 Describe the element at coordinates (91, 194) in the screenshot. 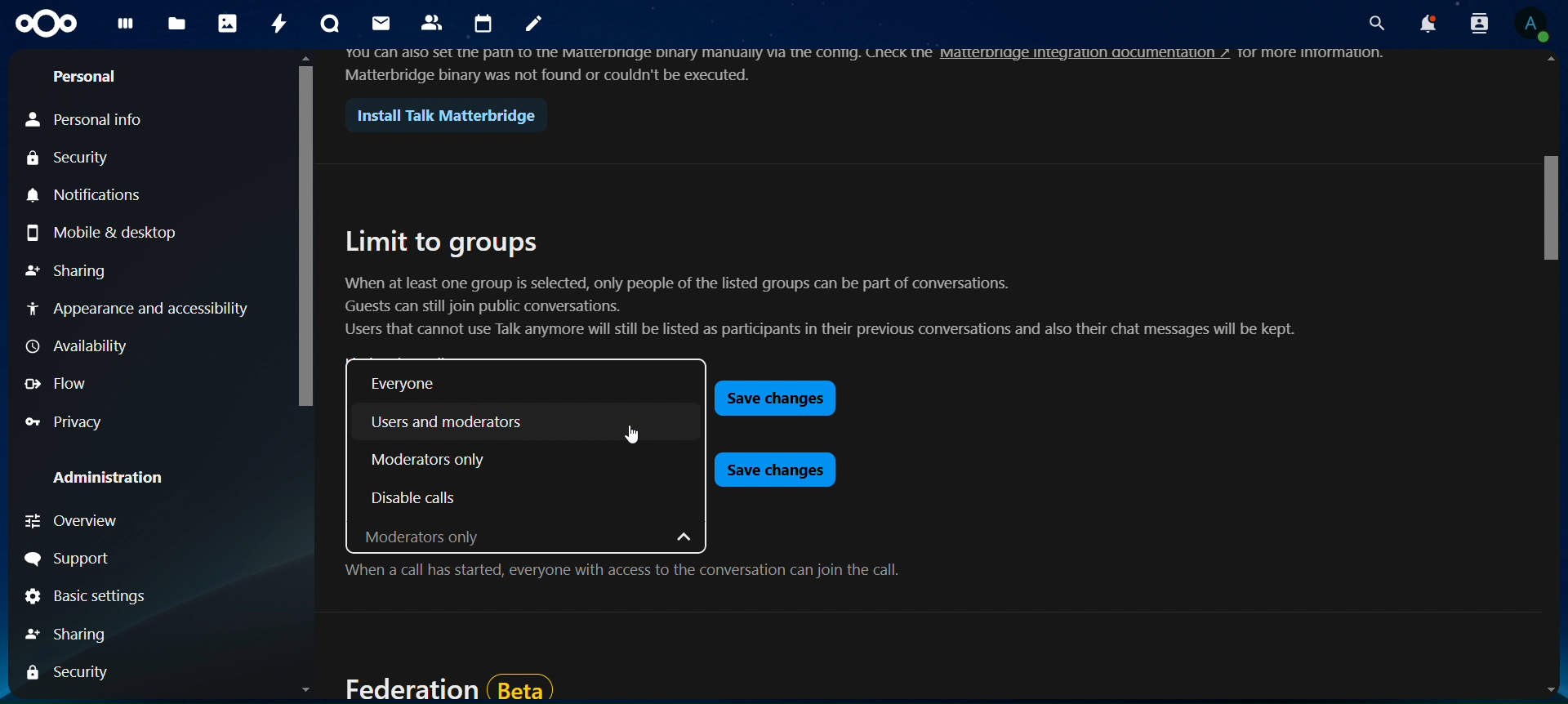

I see `notifications` at that location.